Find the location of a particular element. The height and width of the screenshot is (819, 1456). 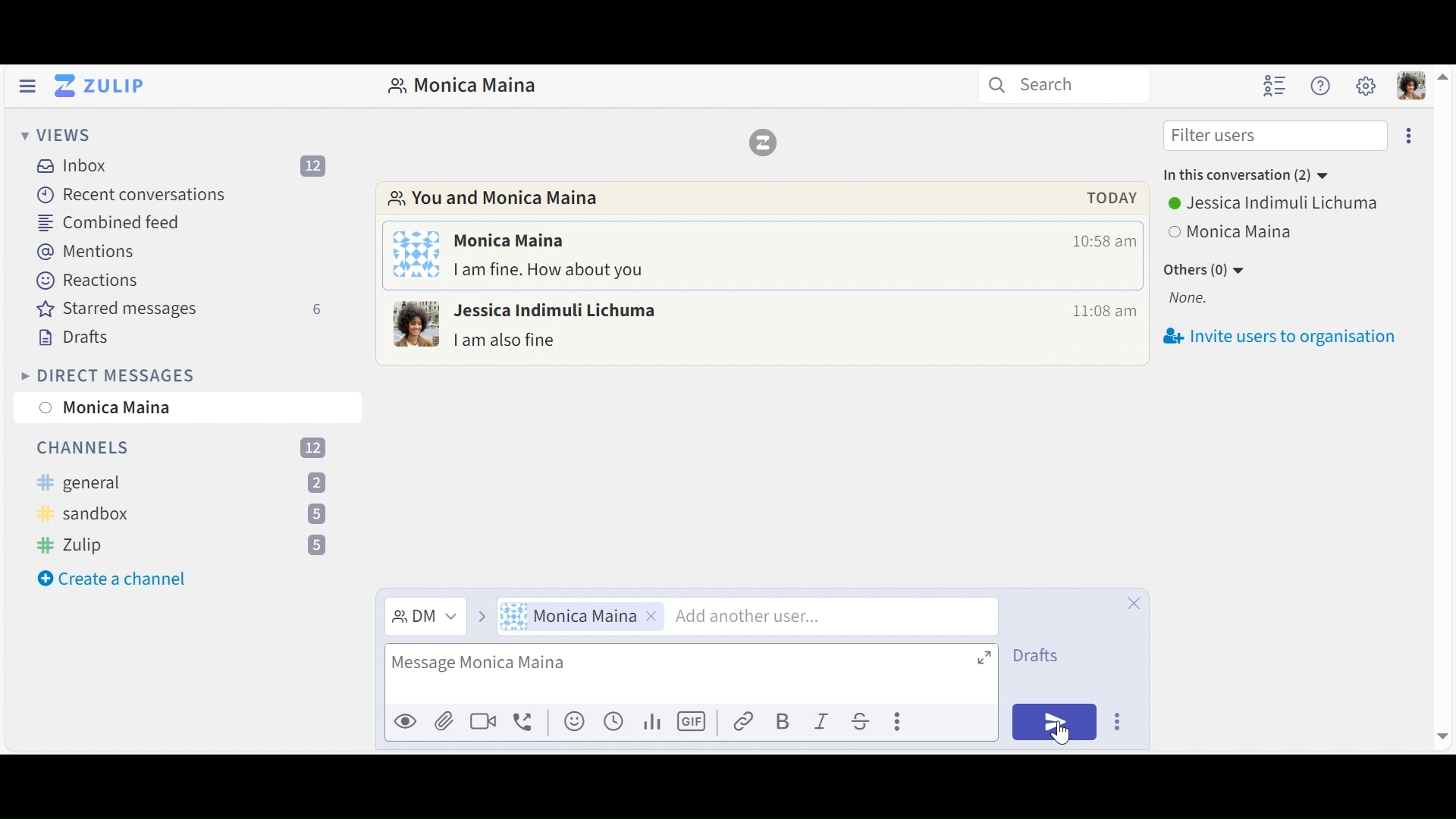

cursor is located at coordinates (1062, 733).